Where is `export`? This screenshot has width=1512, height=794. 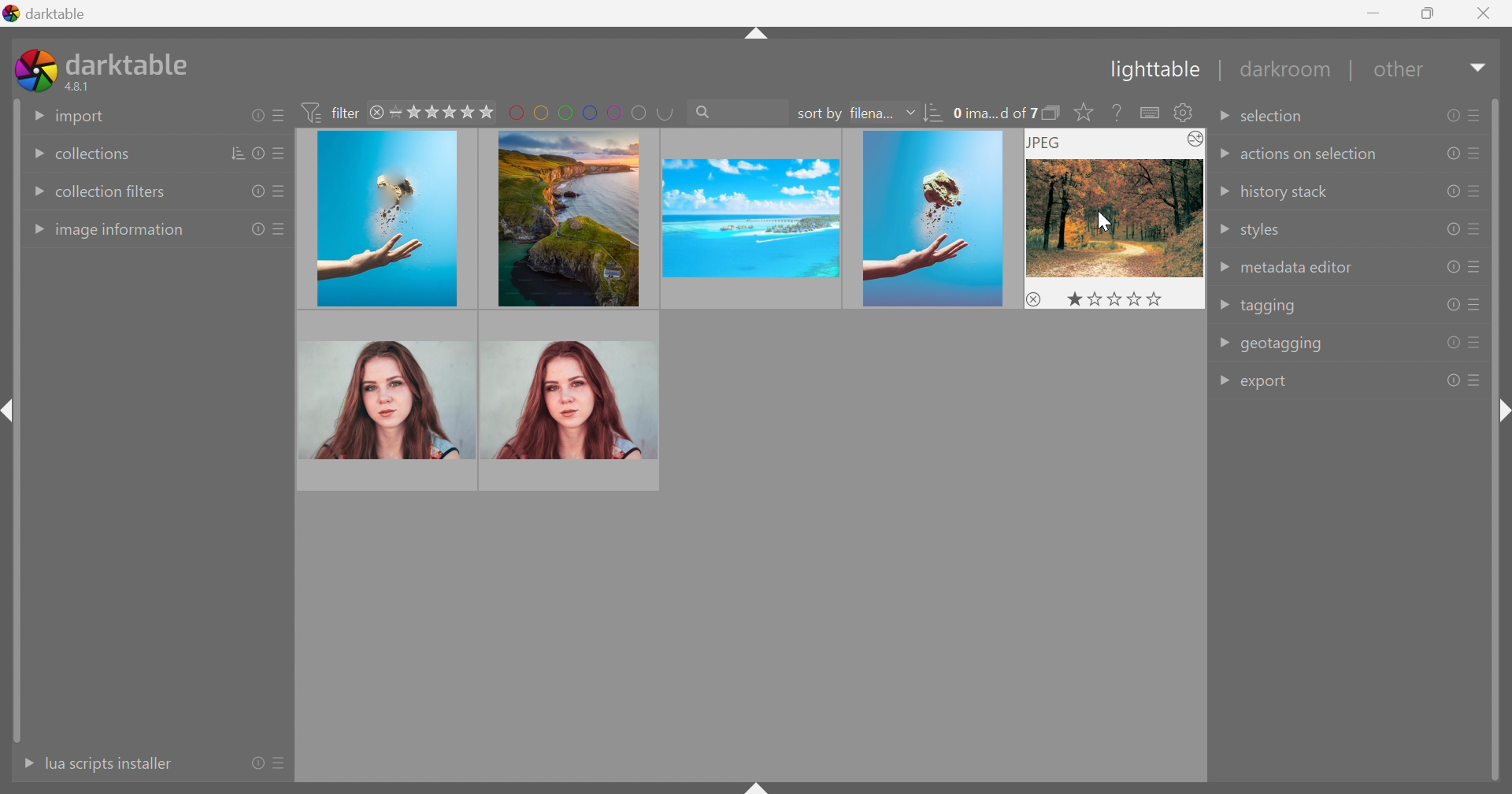 export is located at coordinates (1268, 382).